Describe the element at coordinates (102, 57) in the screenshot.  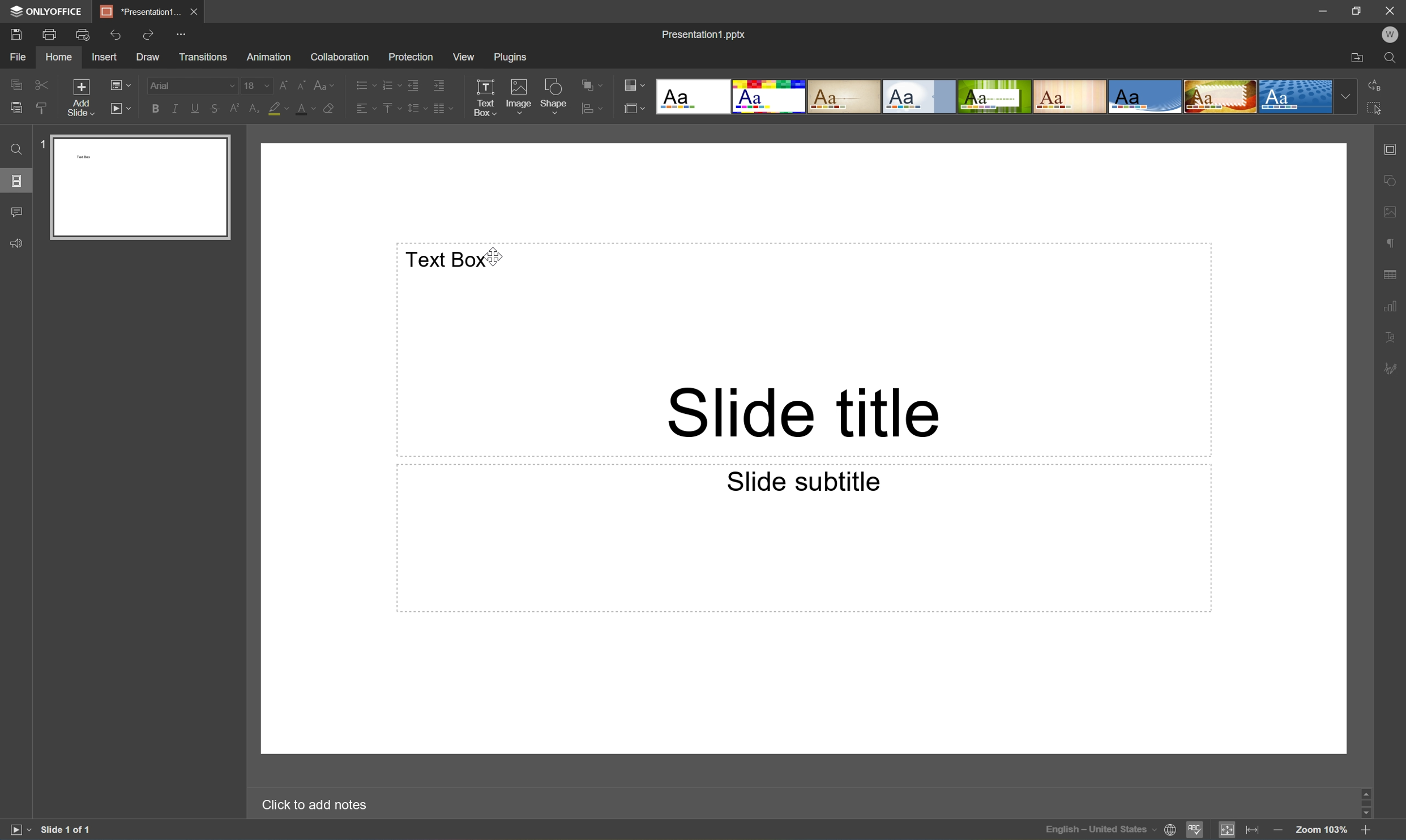
I see `Insert` at that location.